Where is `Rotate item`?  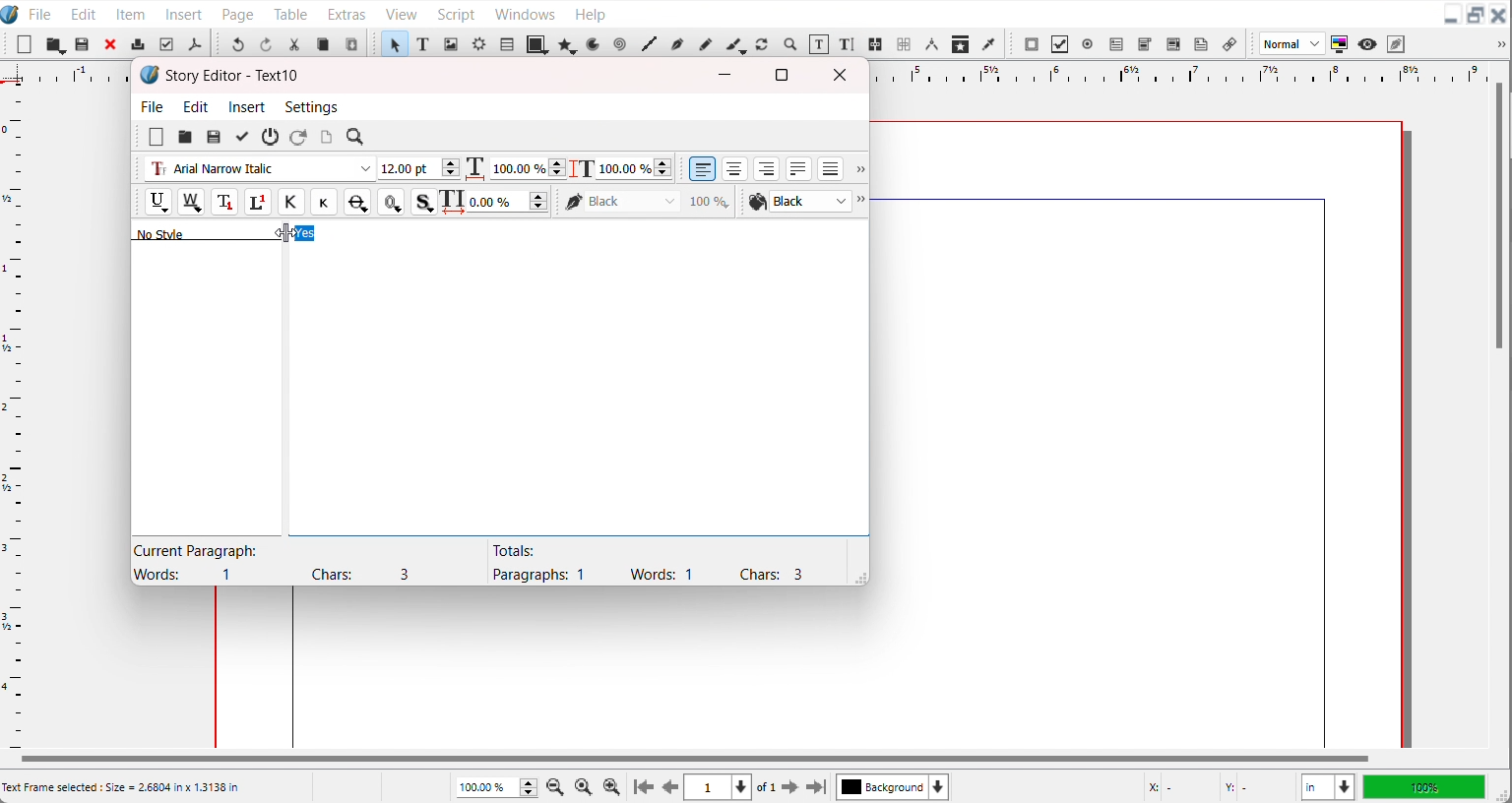 Rotate item is located at coordinates (762, 44).